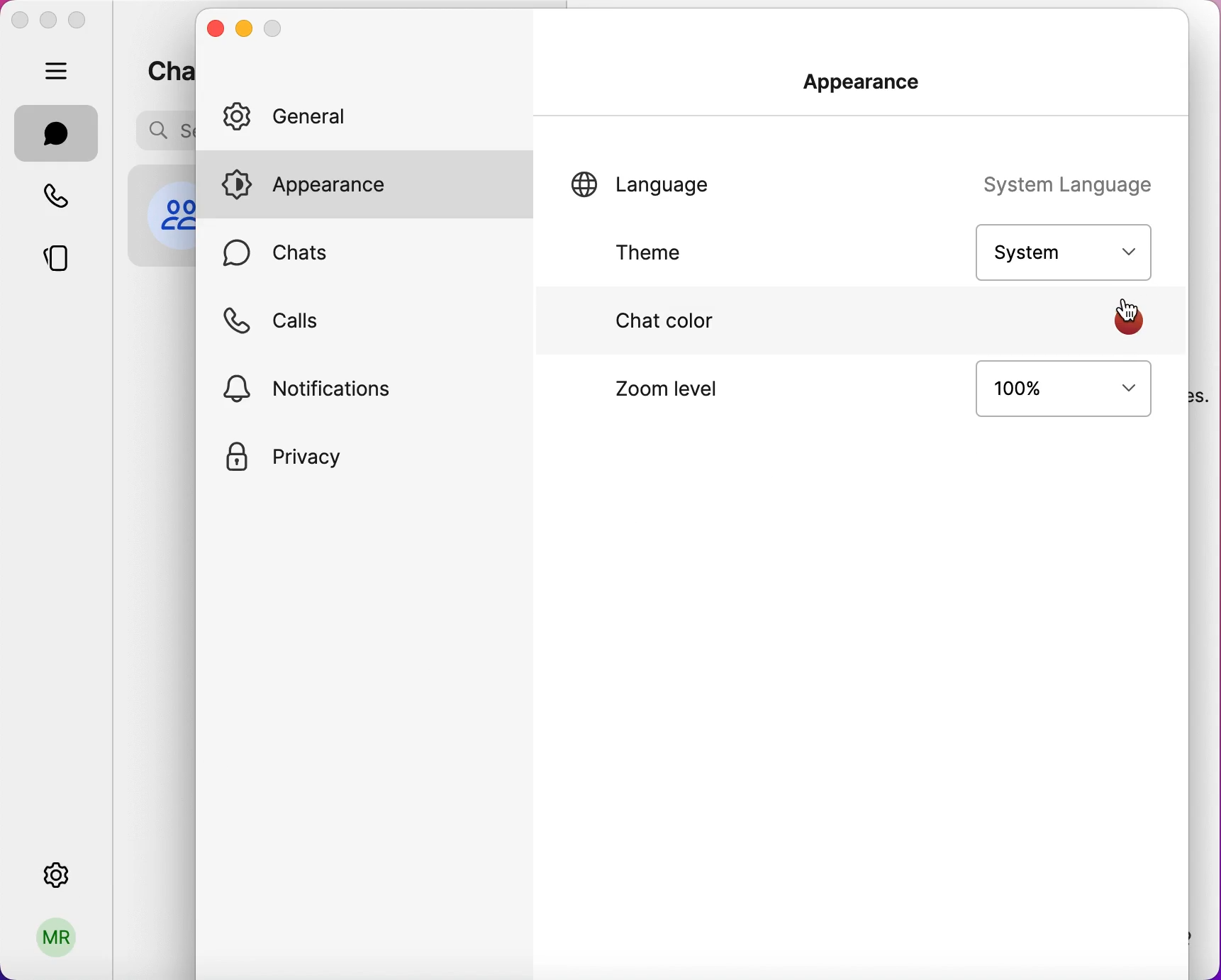 The image size is (1221, 980). Describe the element at coordinates (1130, 311) in the screenshot. I see `cursor` at that location.